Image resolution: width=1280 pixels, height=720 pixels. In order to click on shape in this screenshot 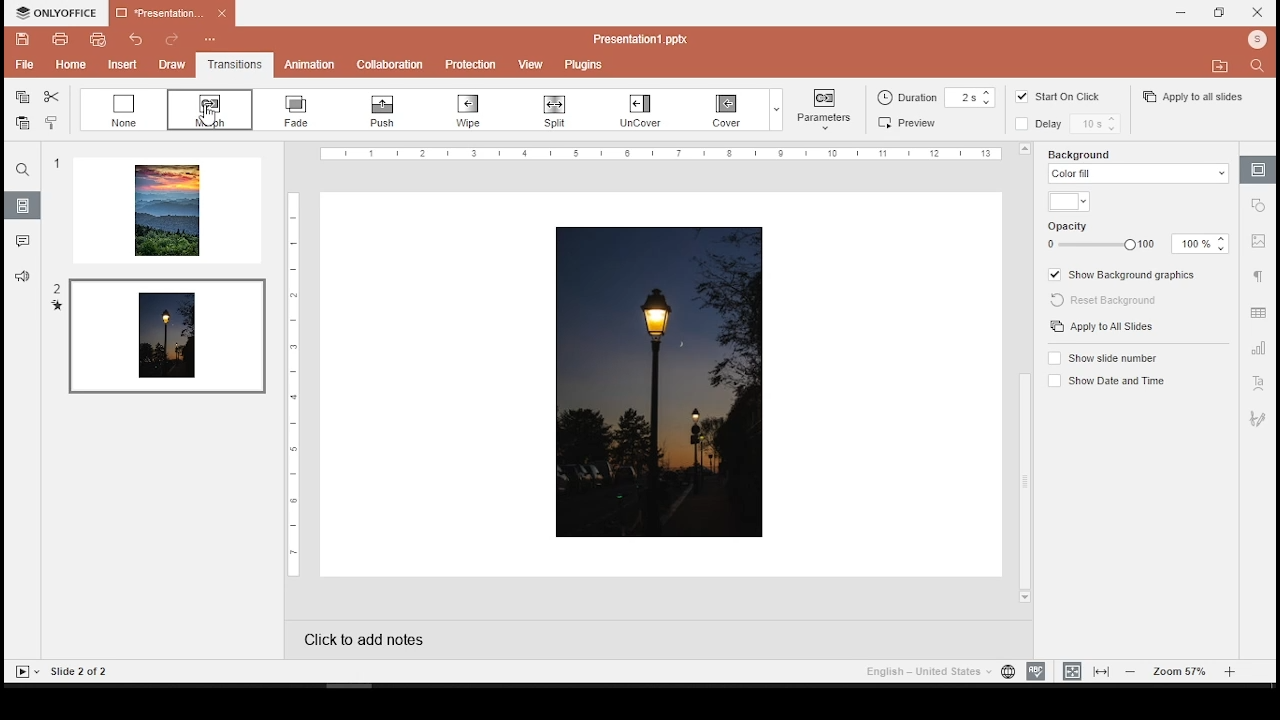, I will do `click(646, 108)`.